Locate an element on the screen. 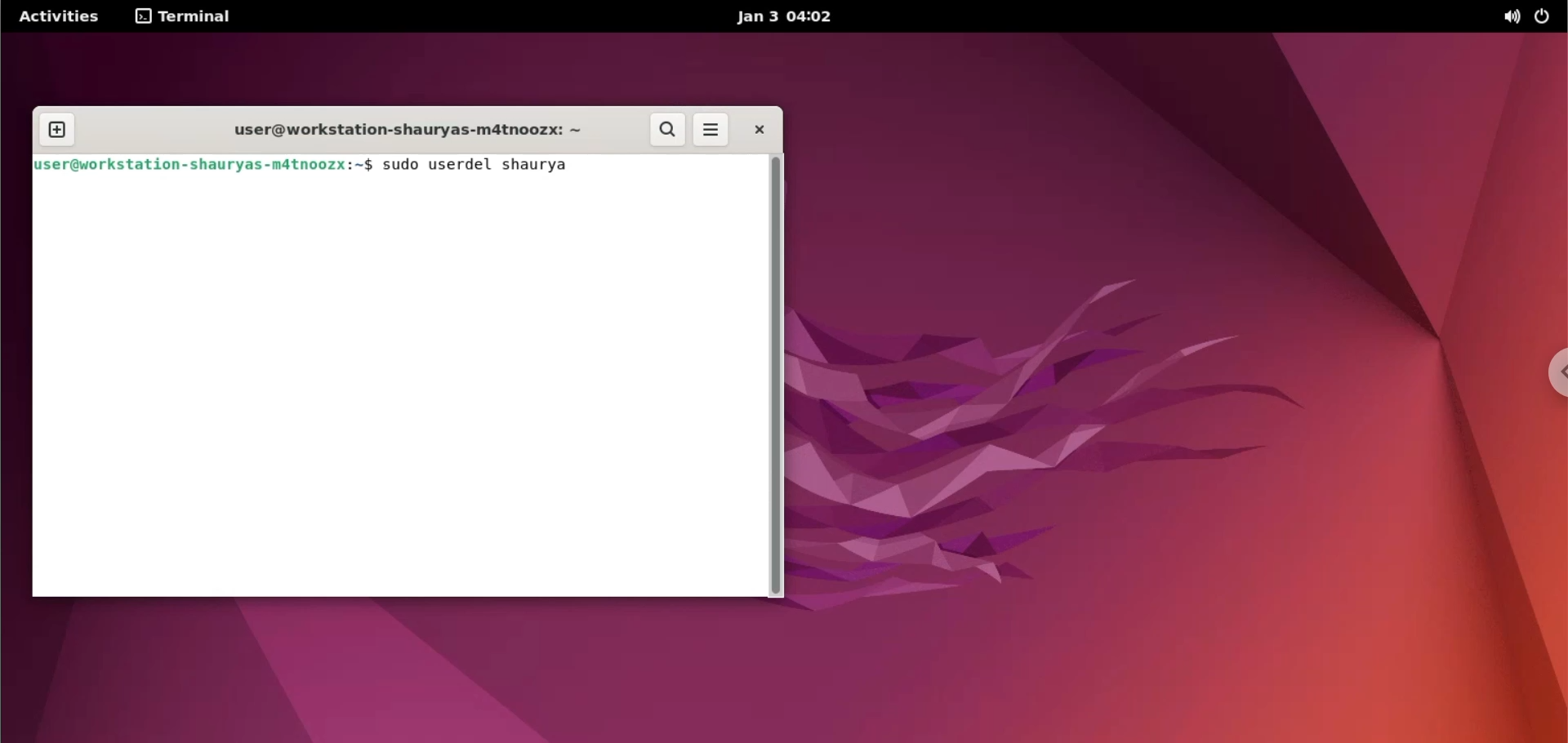  Activities is located at coordinates (57, 17).